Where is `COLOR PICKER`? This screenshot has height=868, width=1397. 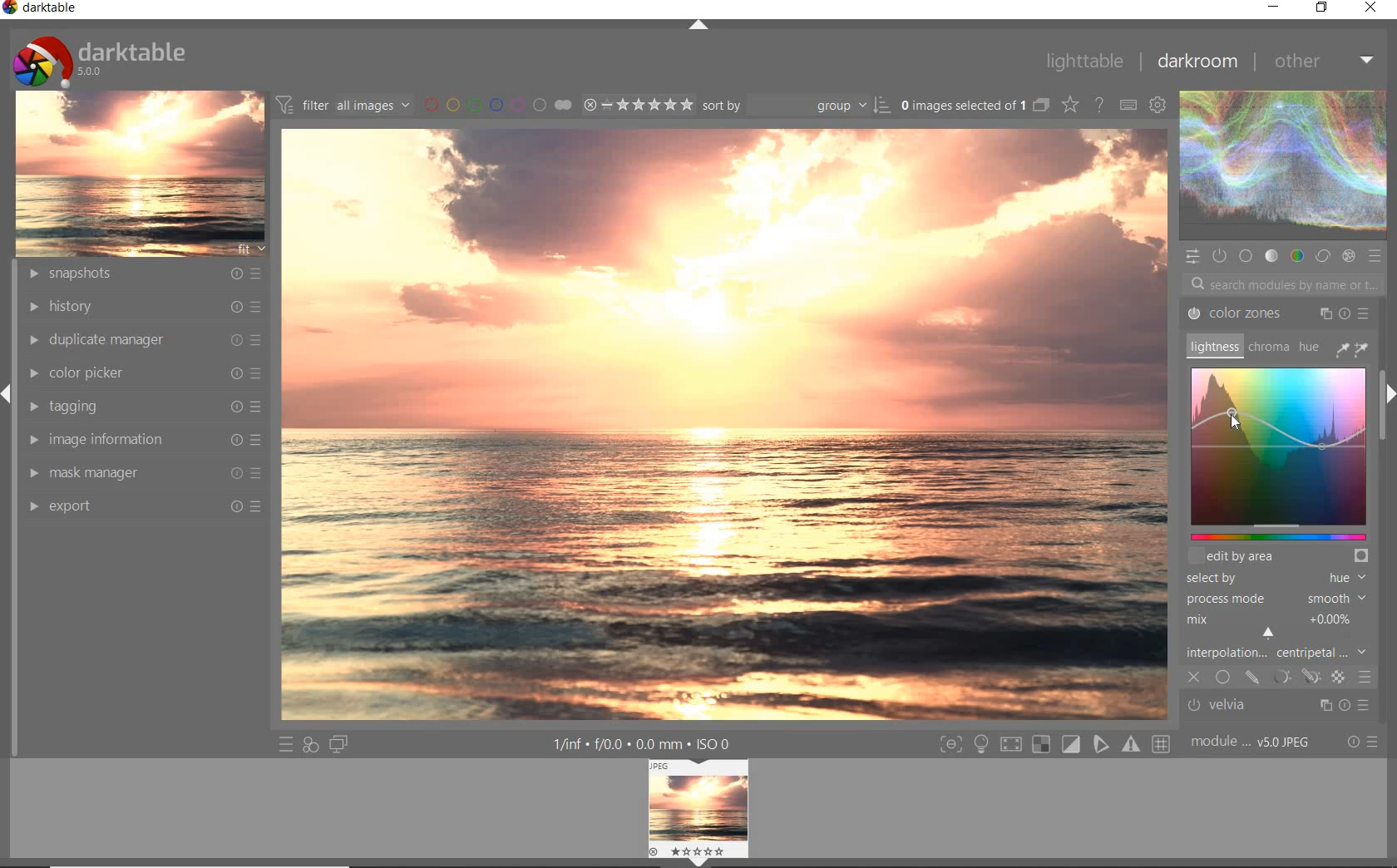 COLOR PICKER is located at coordinates (148, 372).